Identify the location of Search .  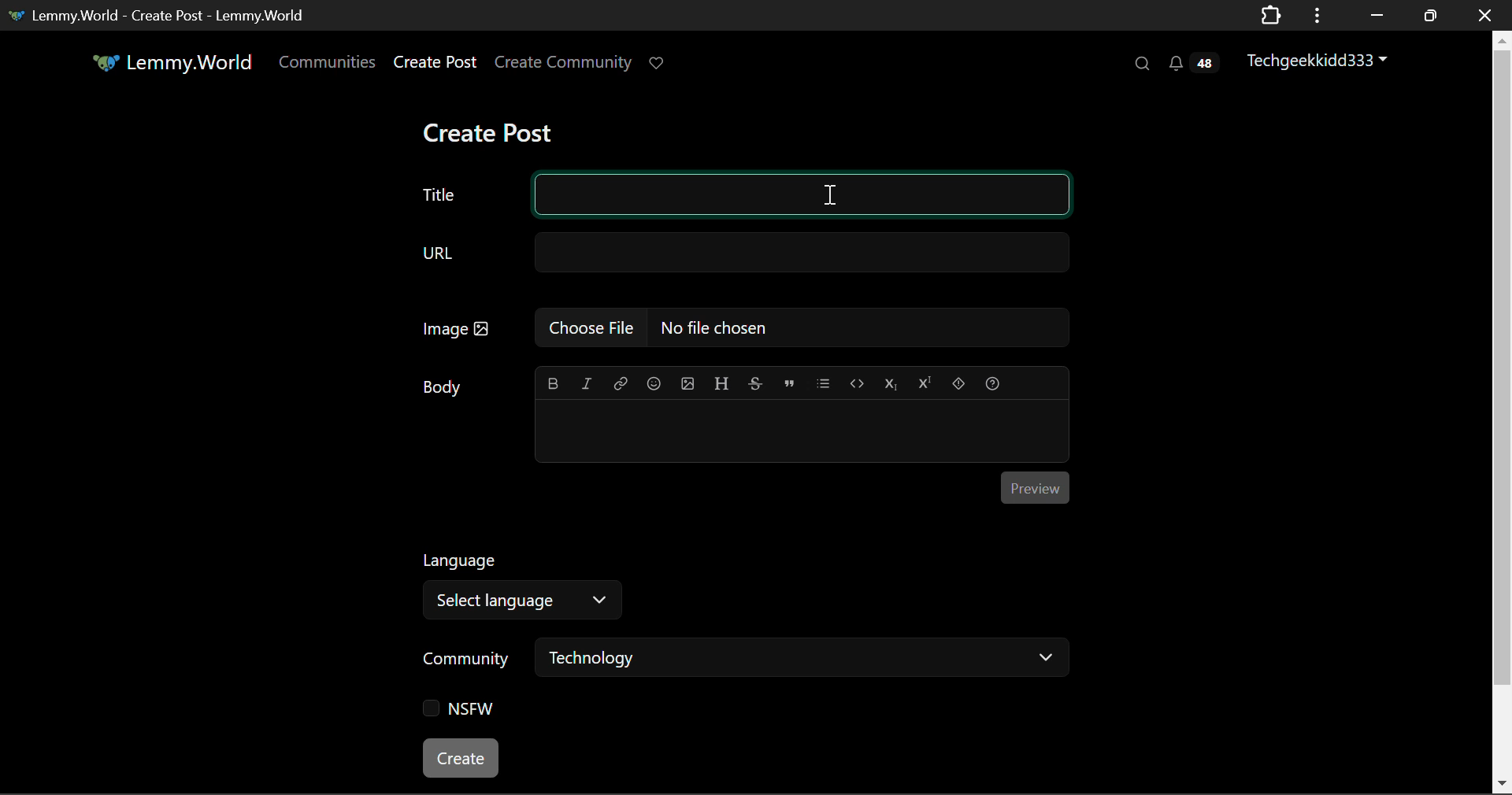
(1140, 63).